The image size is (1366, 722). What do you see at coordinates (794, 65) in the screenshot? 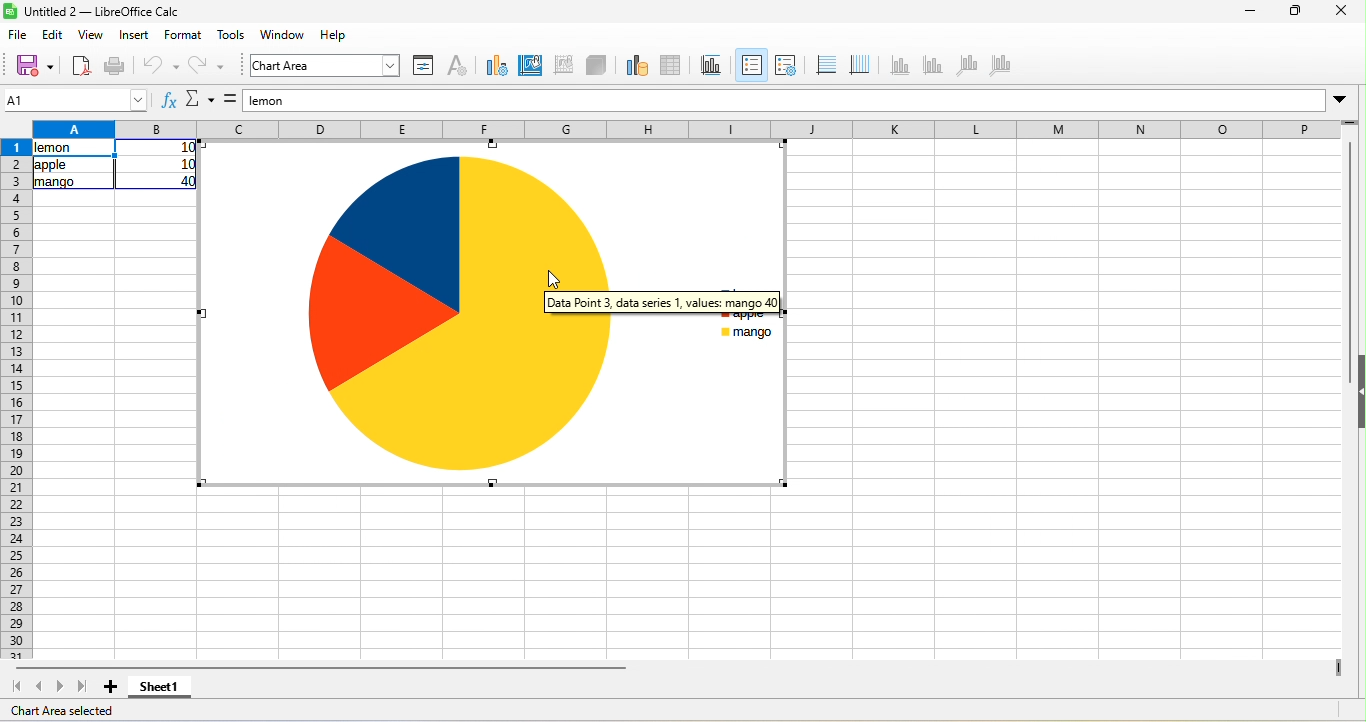
I see `legend` at bounding box center [794, 65].